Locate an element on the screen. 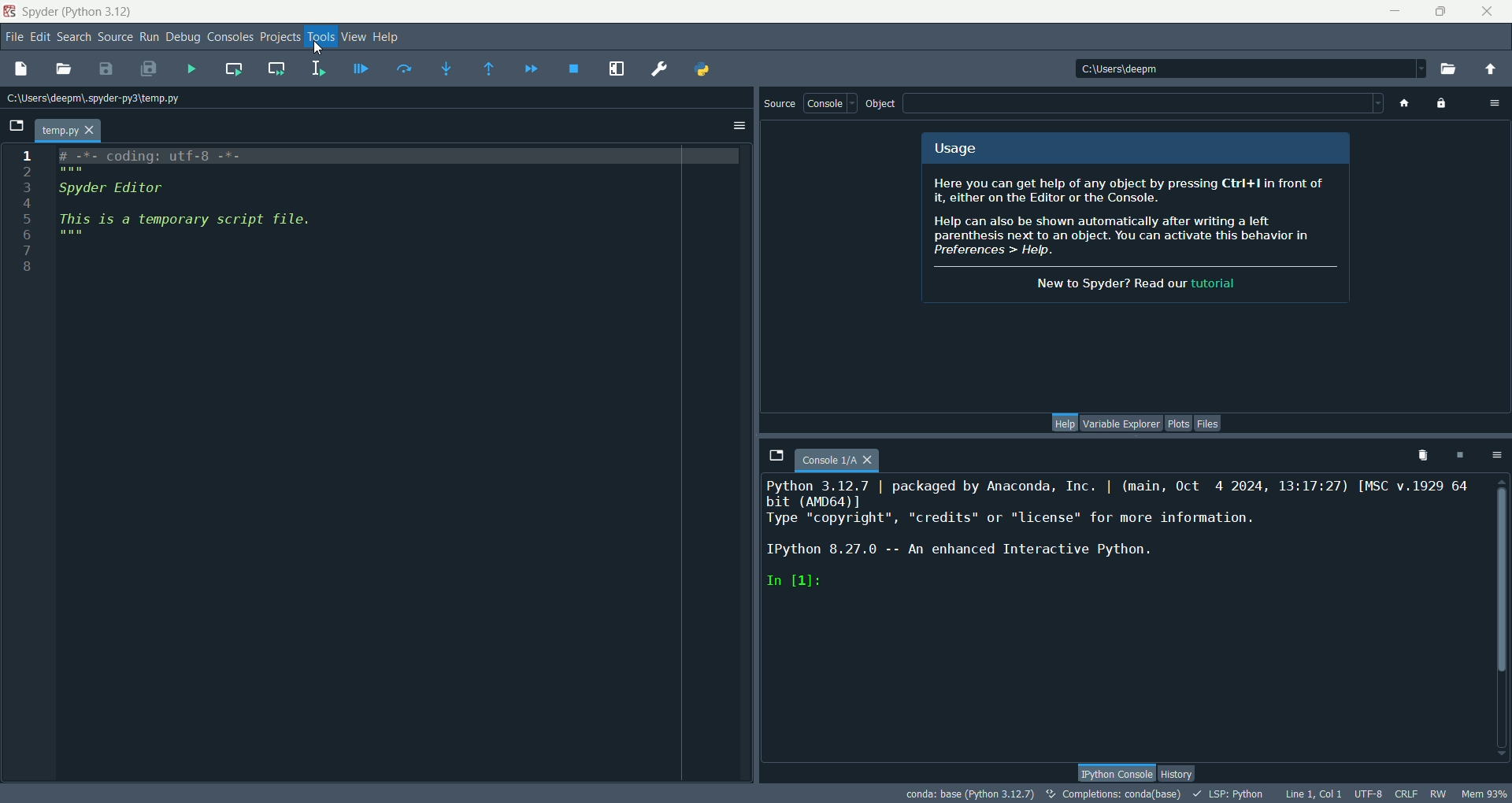  help is located at coordinates (386, 38).